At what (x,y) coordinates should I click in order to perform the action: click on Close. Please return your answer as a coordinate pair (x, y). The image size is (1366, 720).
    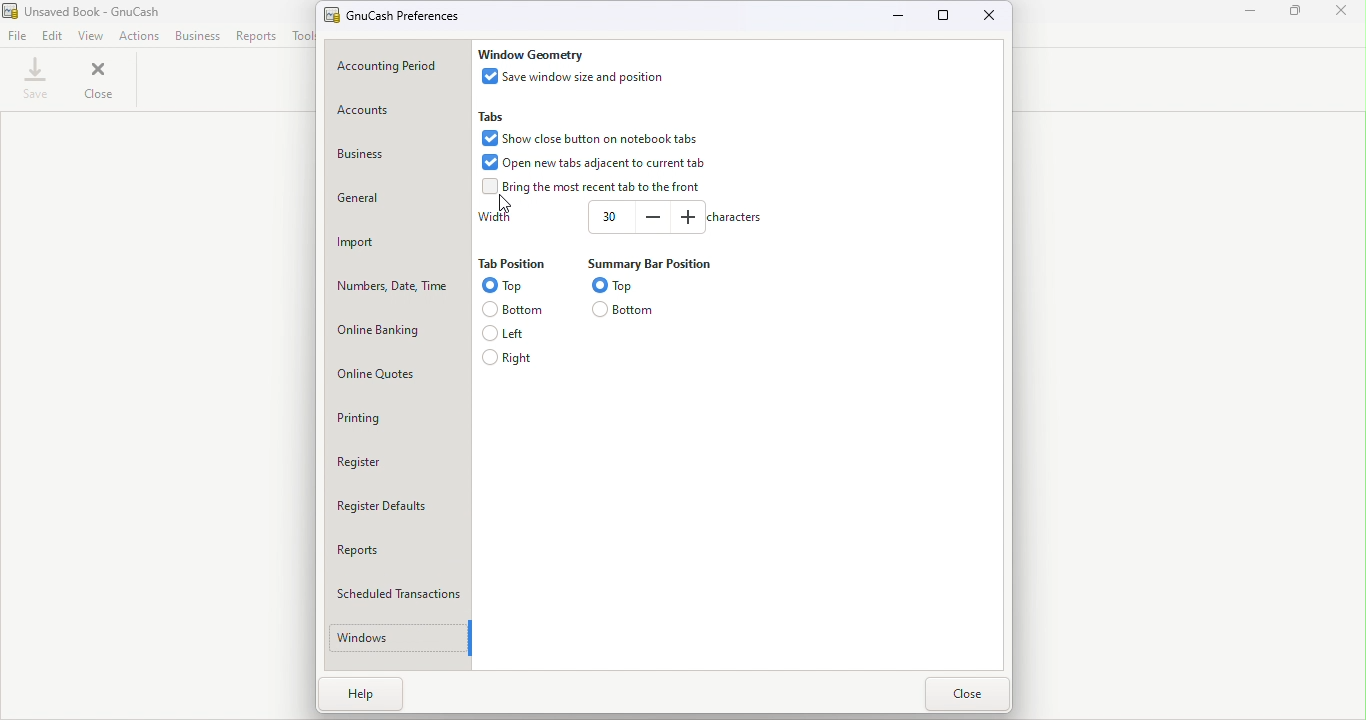
    Looking at the image, I should click on (965, 695).